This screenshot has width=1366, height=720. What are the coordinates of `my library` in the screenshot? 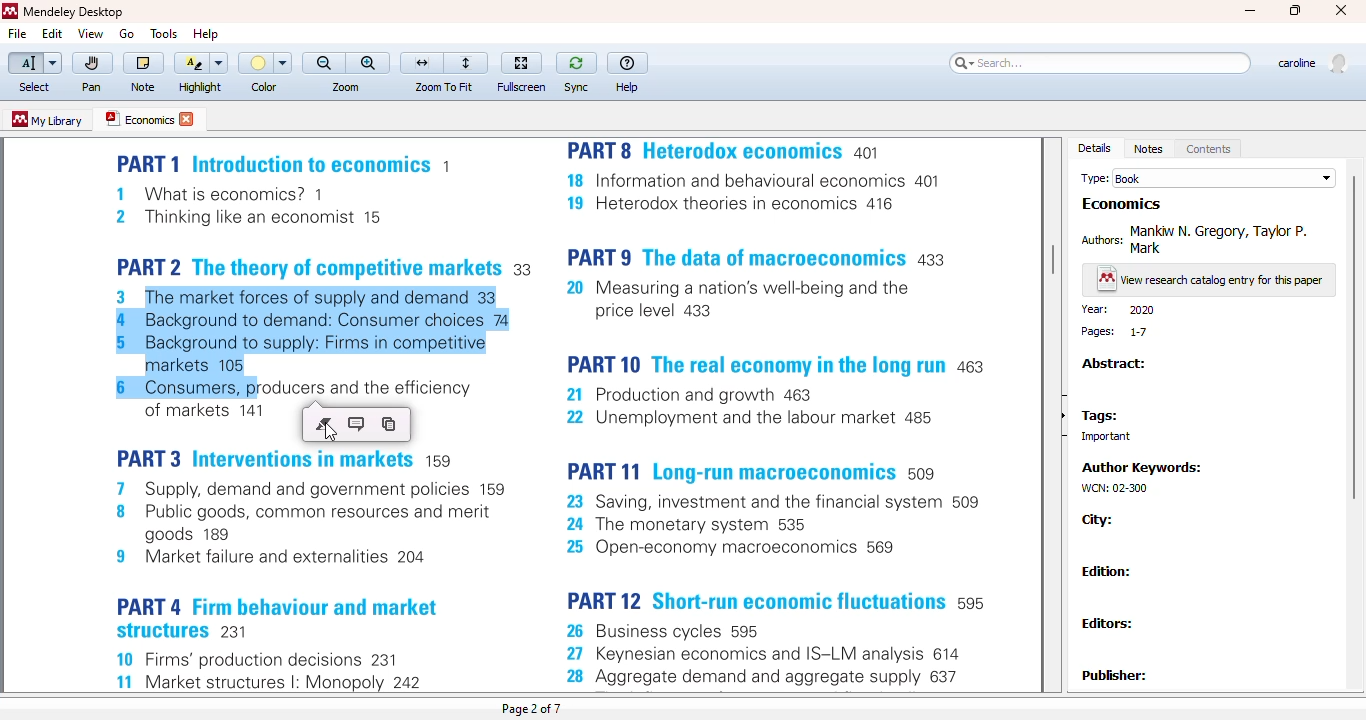 It's located at (46, 119).